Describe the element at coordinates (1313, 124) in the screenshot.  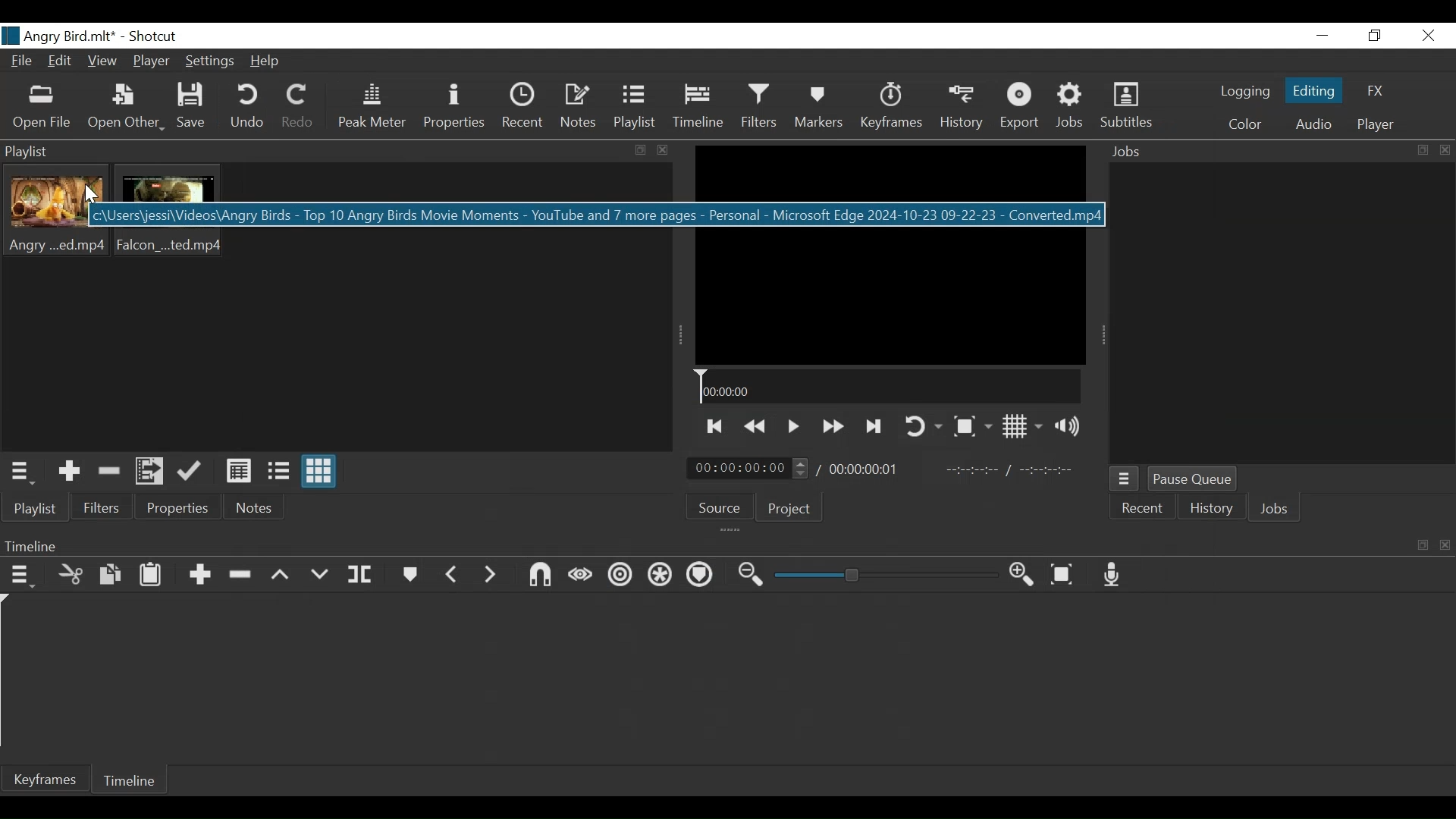
I see `Audio` at that location.